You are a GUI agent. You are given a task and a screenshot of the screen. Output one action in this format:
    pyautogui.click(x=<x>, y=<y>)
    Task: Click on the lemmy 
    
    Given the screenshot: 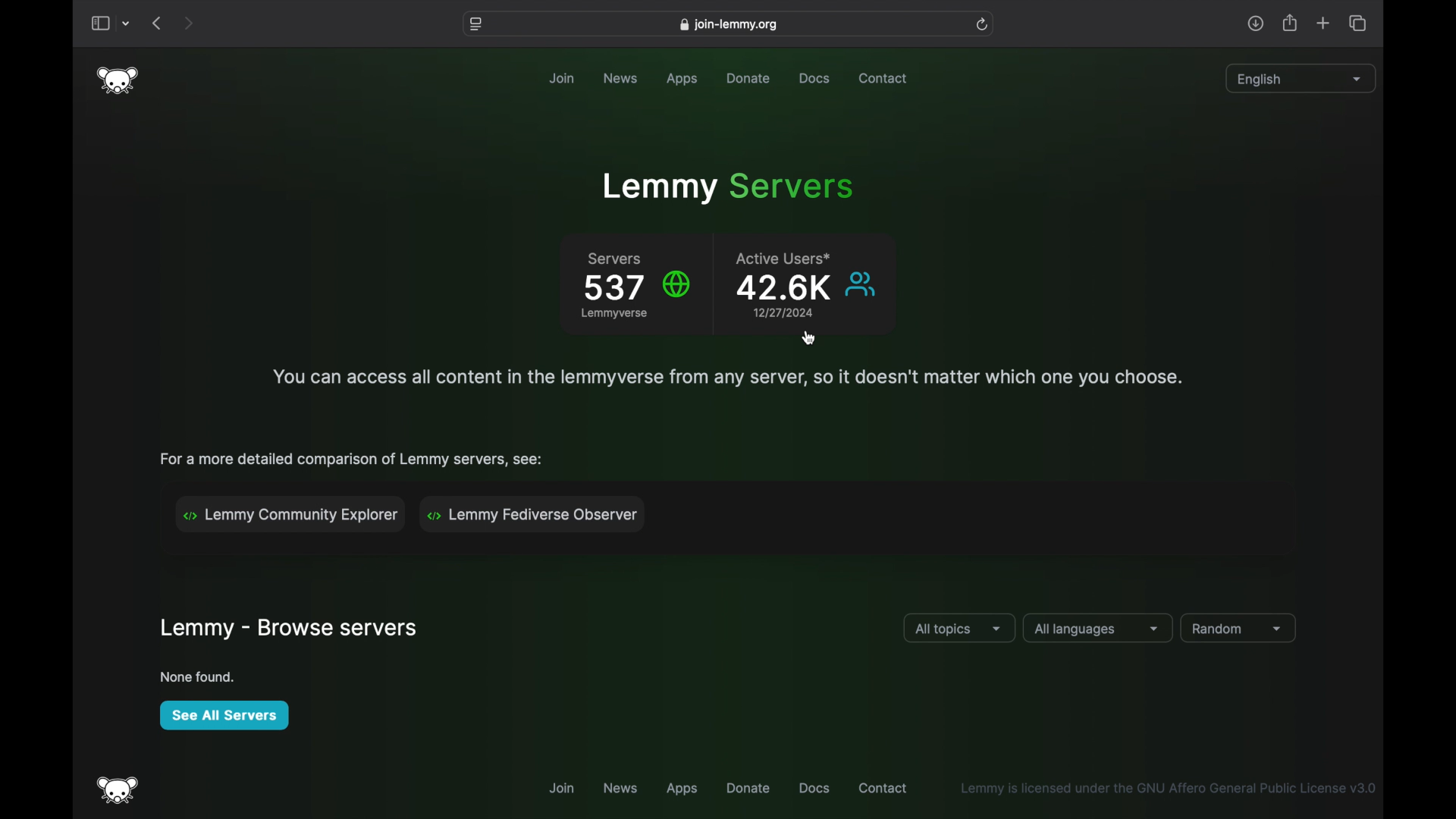 What is the action you would take?
    pyautogui.click(x=118, y=80)
    